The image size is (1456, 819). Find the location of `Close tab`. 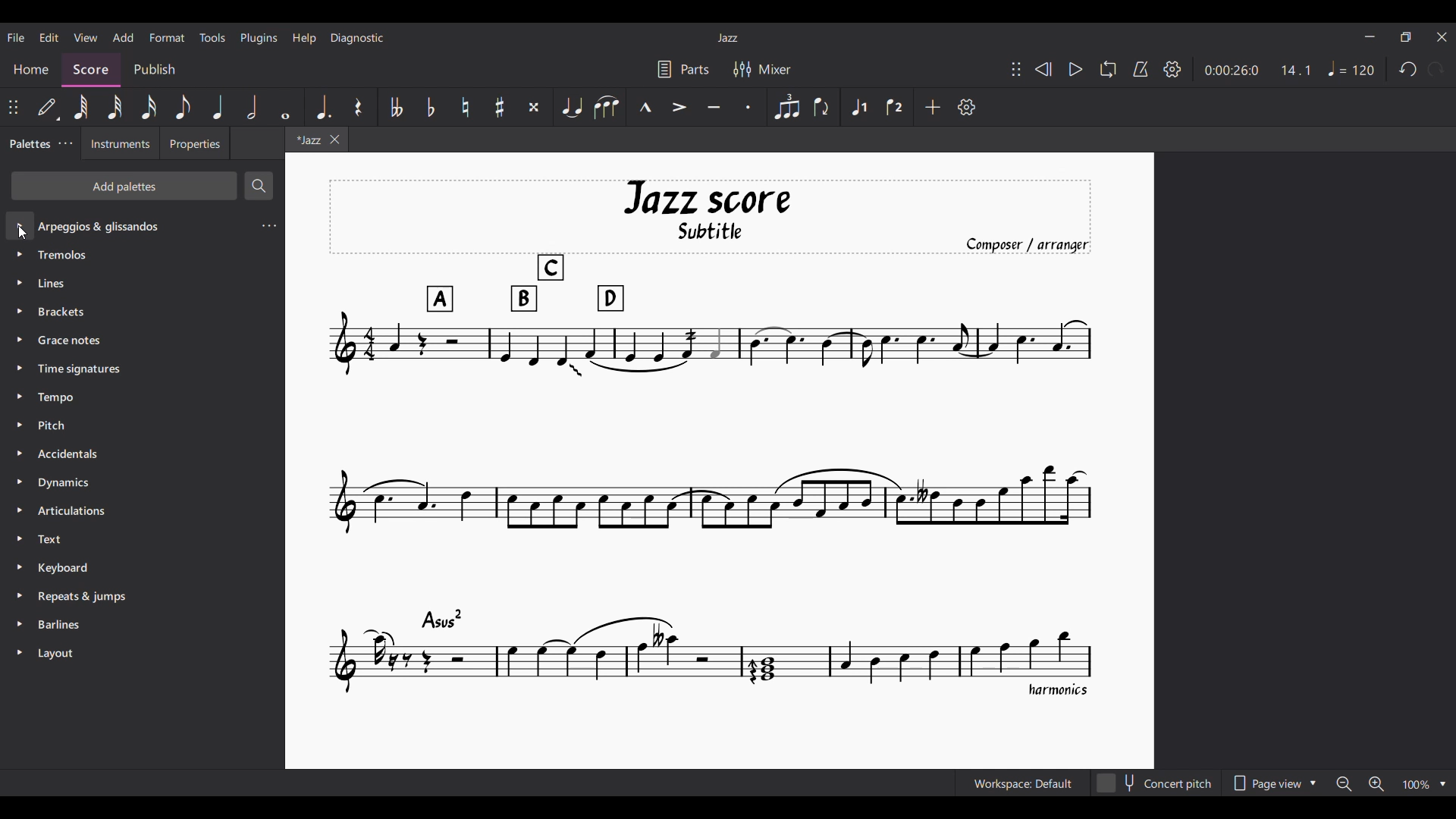

Close tab is located at coordinates (334, 140).